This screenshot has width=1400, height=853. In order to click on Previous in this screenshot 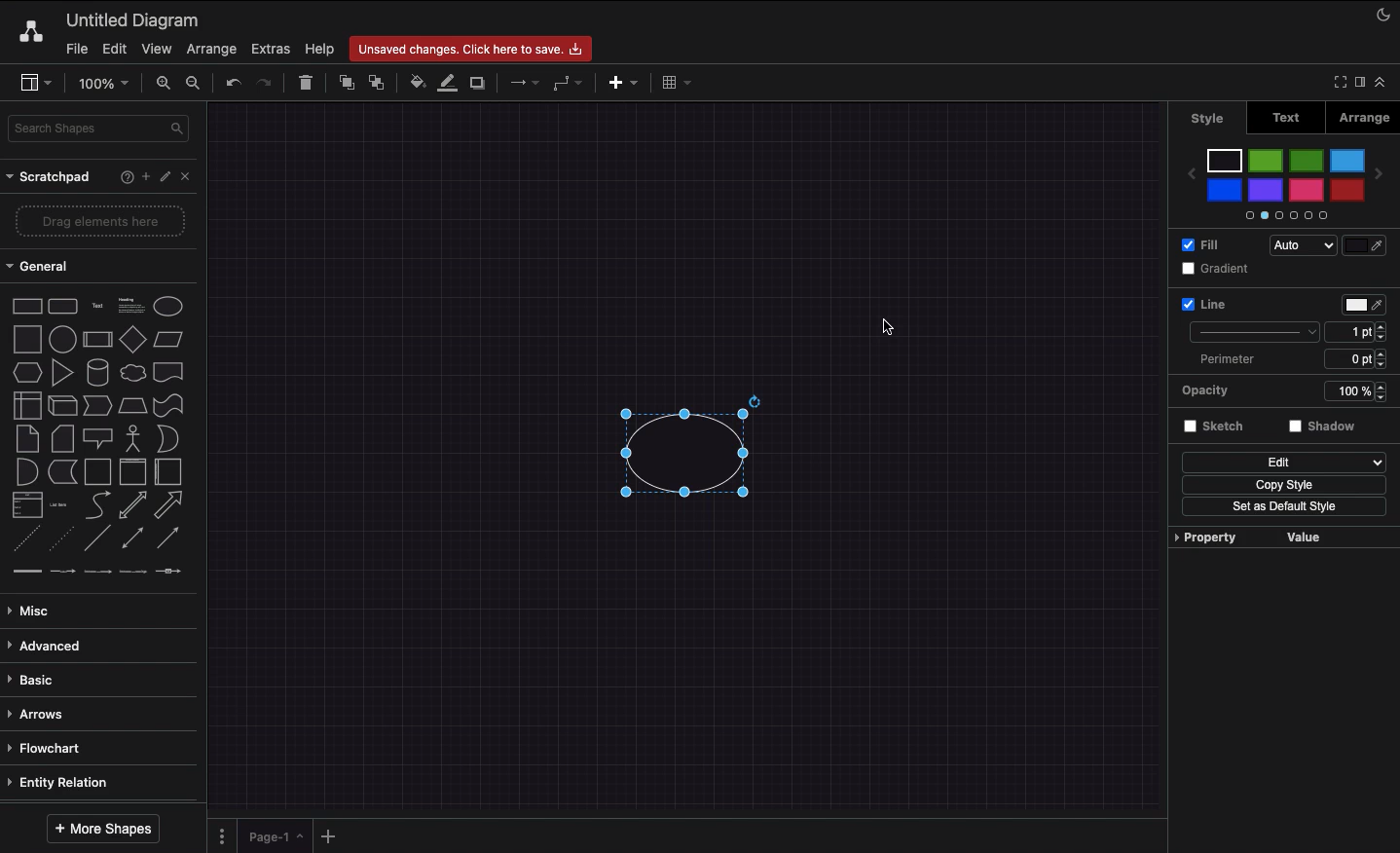, I will do `click(1186, 175)`.